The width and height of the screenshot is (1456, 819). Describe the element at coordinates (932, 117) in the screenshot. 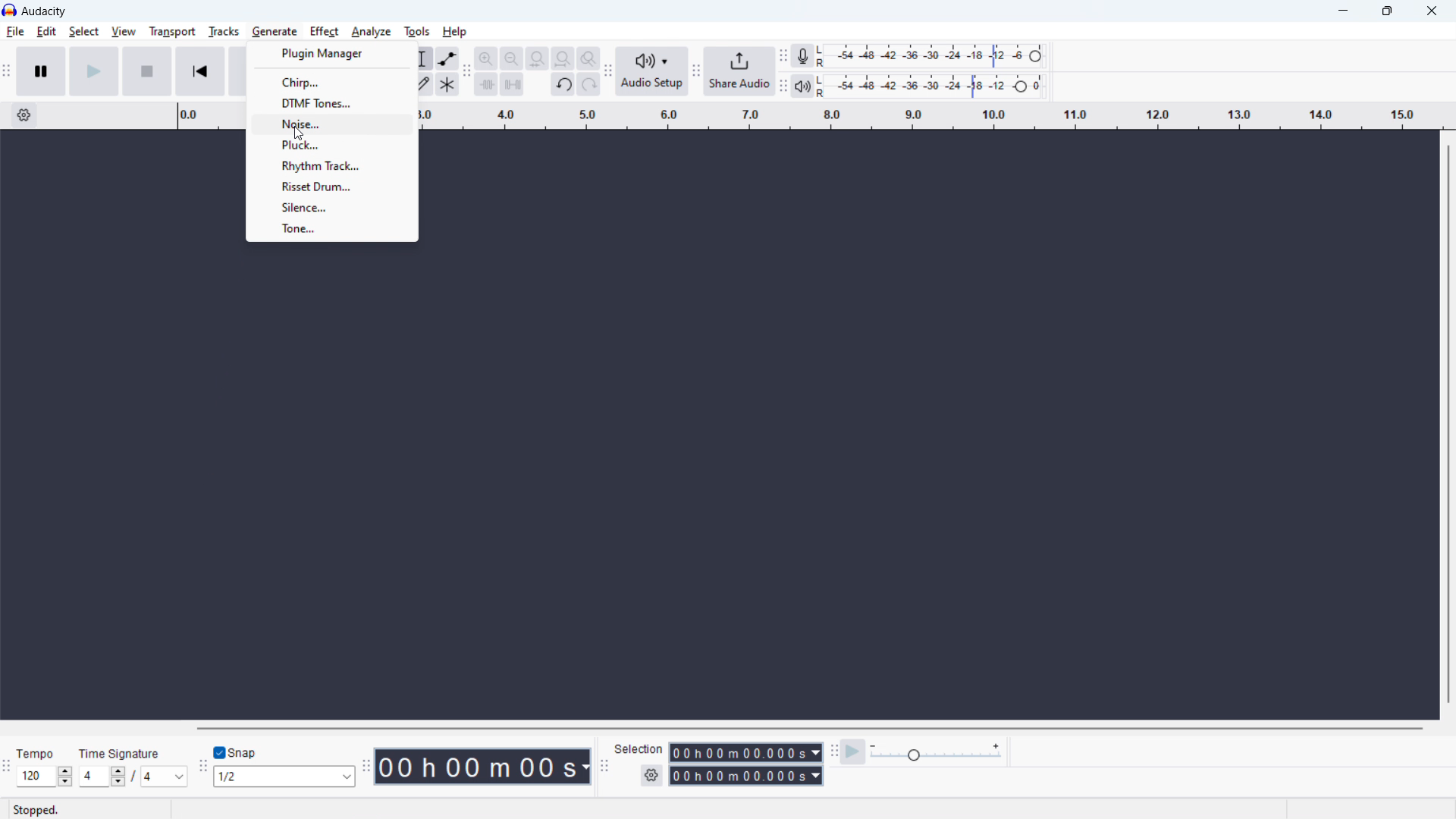

I see `timeline` at that location.